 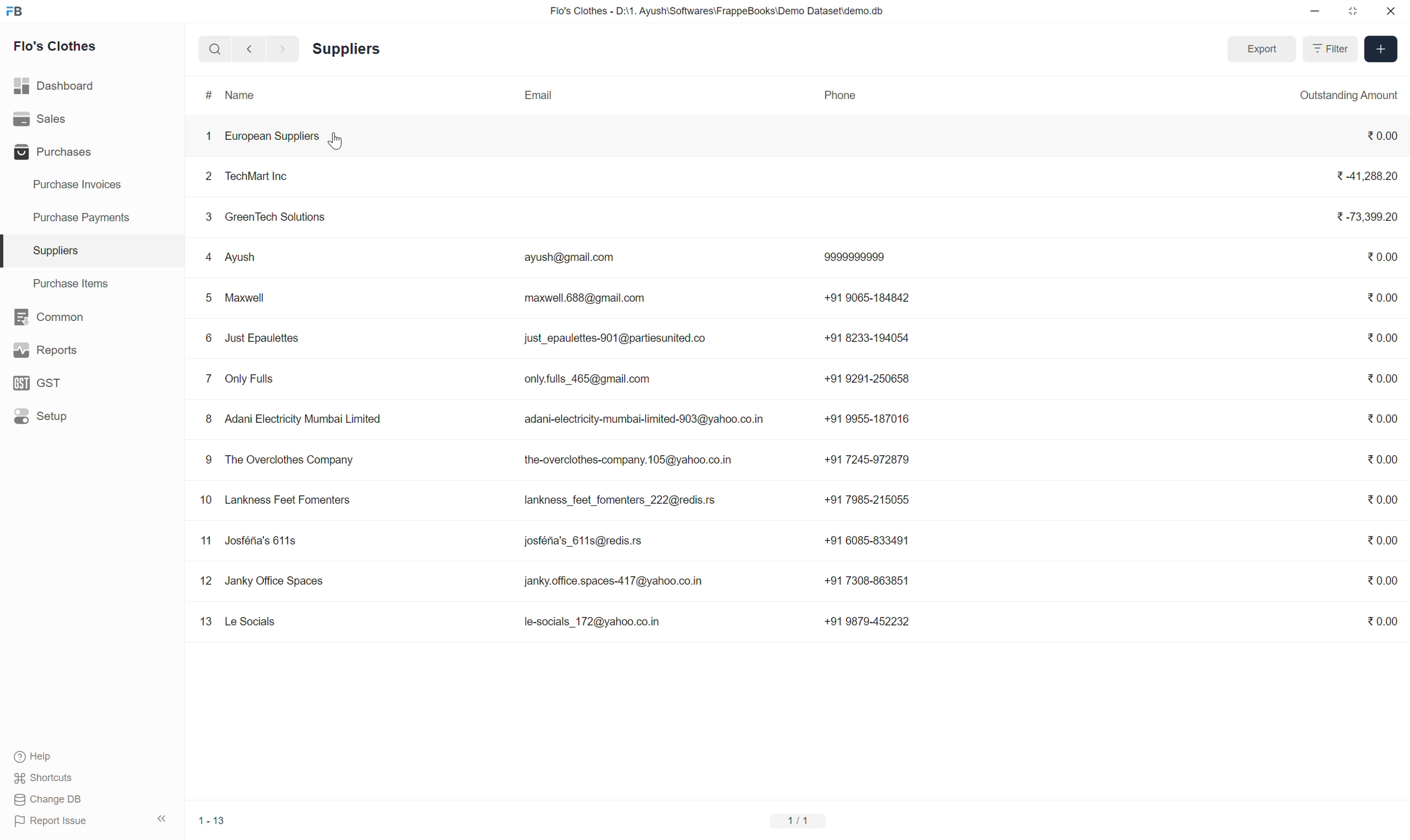 What do you see at coordinates (1361, 215) in the screenshot?
I see `73,399.20` at bounding box center [1361, 215].